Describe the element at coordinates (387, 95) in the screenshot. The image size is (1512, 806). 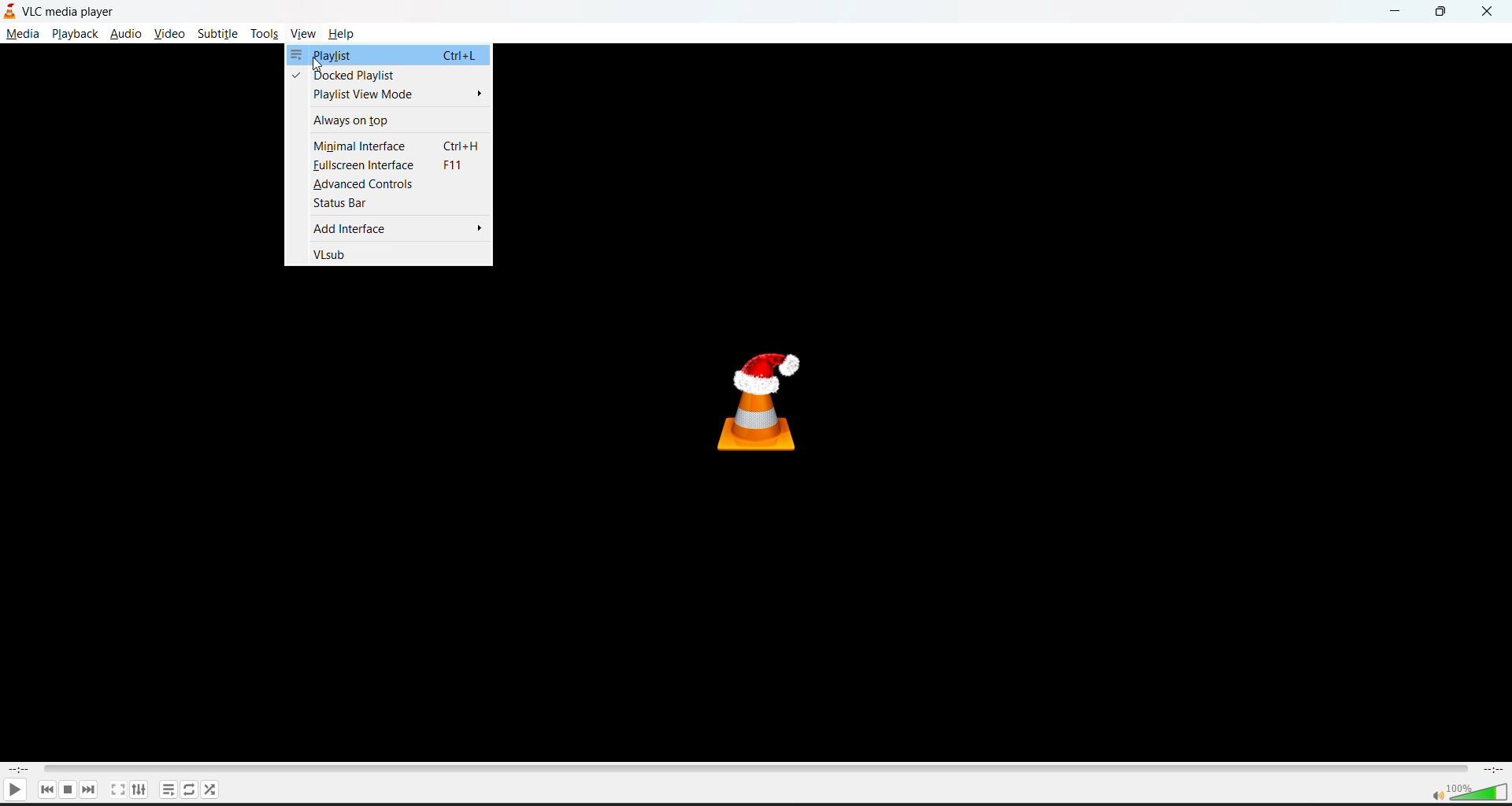
I see `playlist view mode` at that location.